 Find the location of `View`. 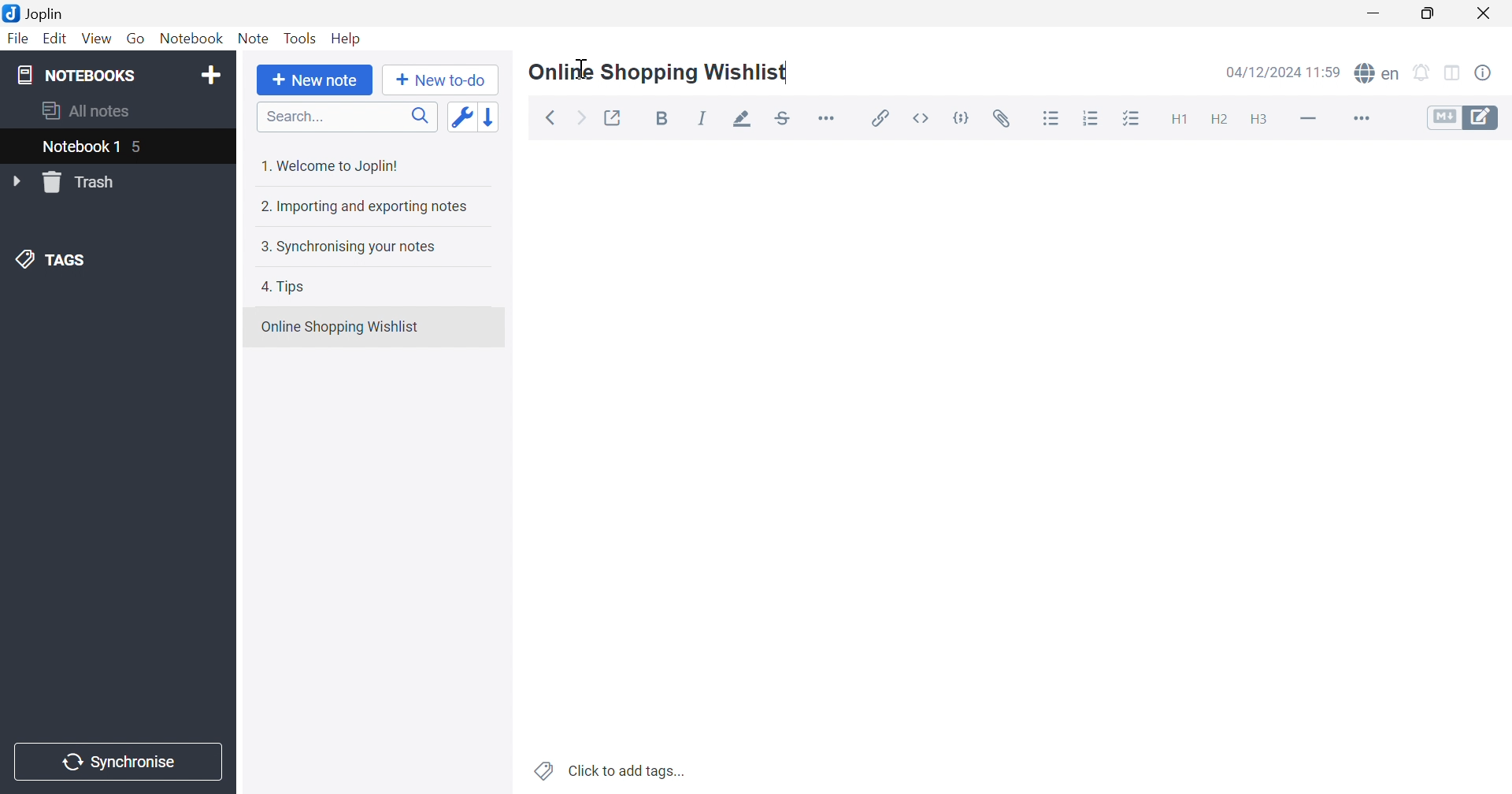

View is located at coordinates (95, 39).